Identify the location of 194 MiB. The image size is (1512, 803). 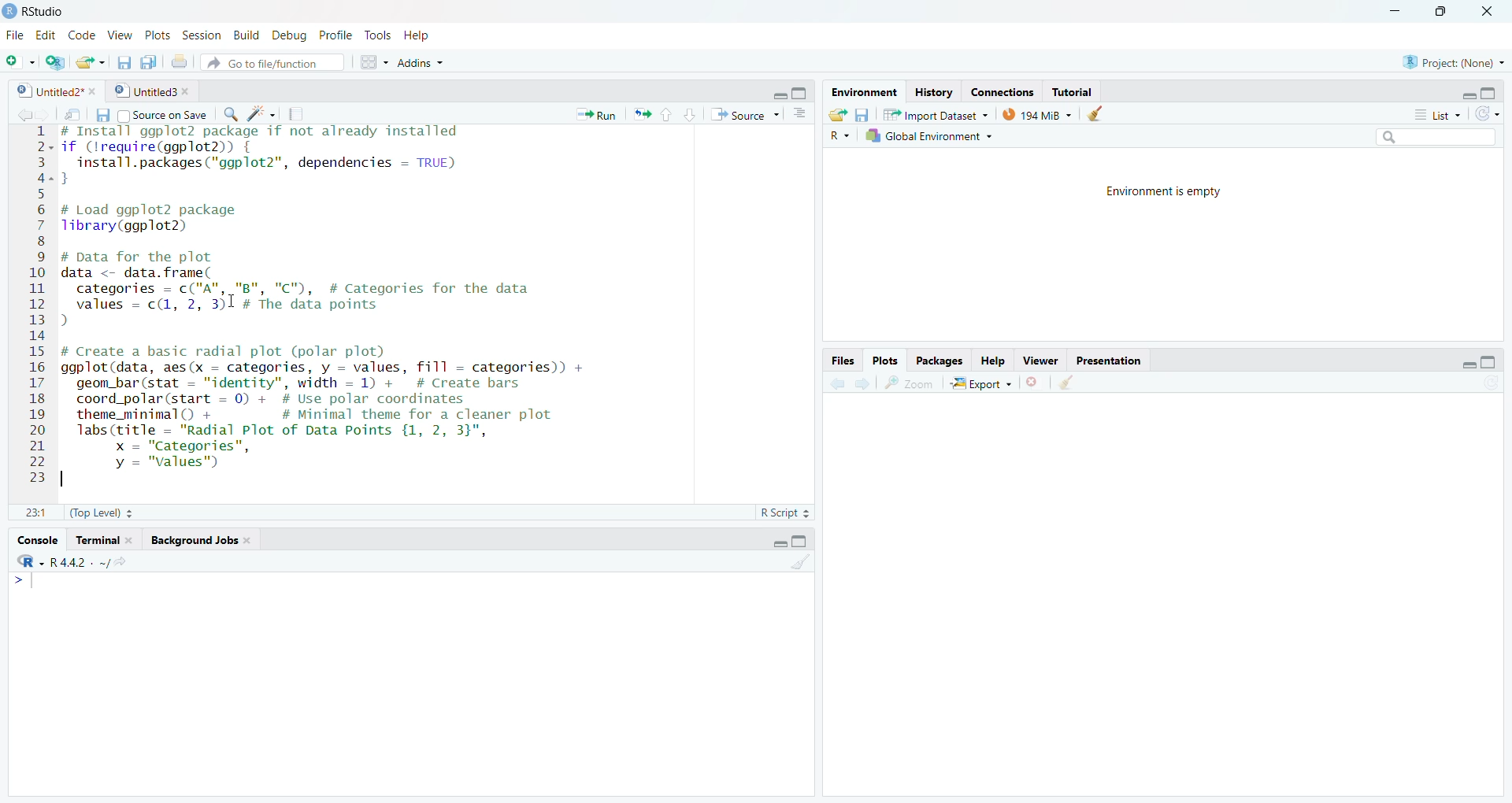
(1038, 114).